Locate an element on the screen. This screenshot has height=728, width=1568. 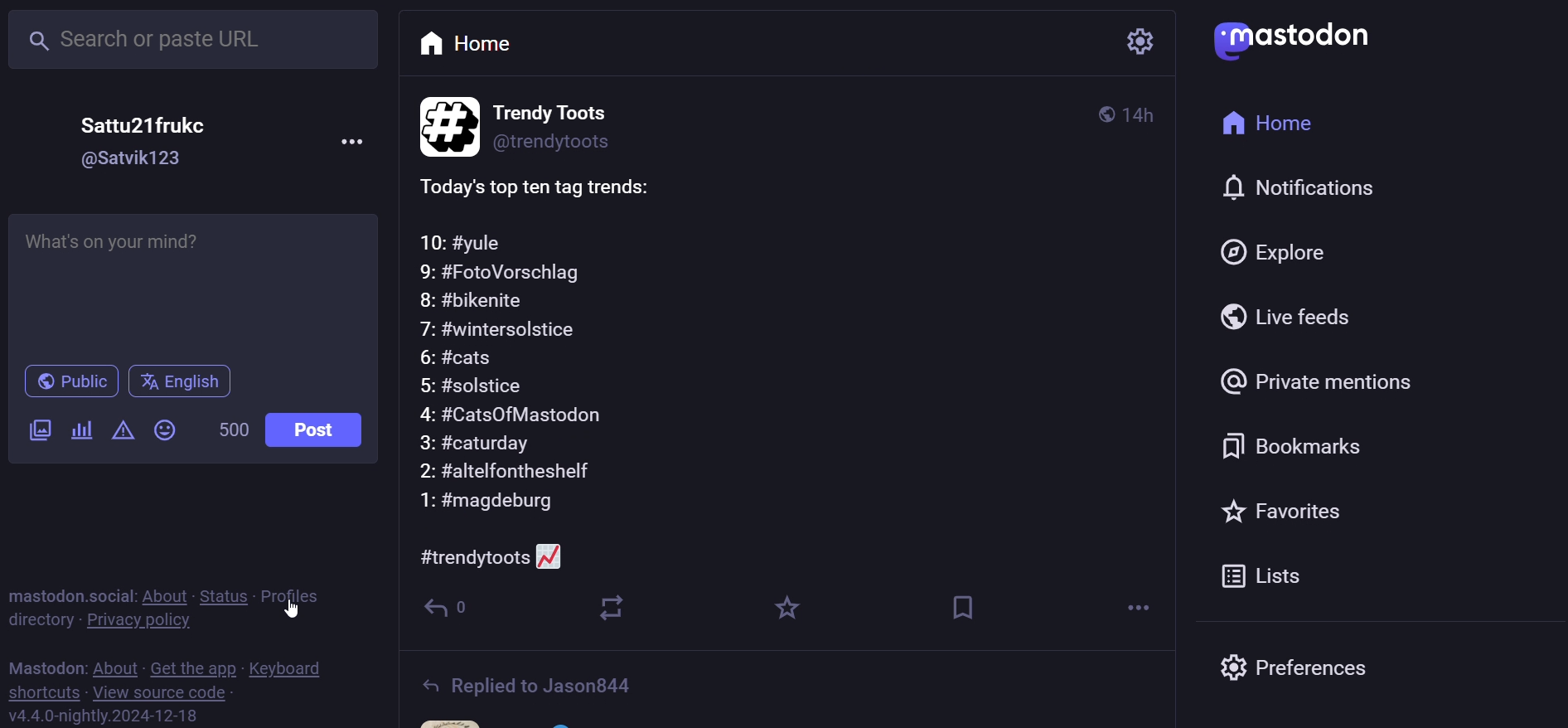
notification is located at coordinates (1300, 186).